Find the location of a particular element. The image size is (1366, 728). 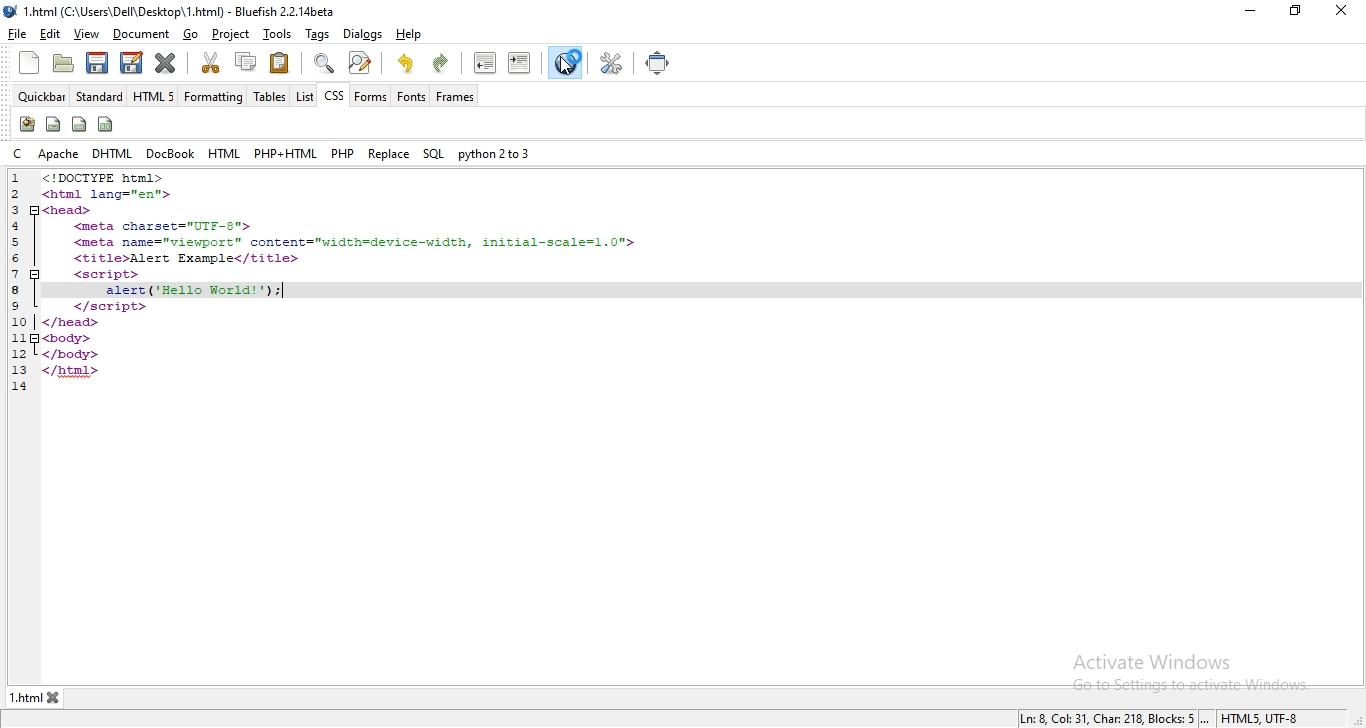

Ln: 8 Col: 9, Char: 196, Blocks: 5 is located at coordinates (1107, 719).